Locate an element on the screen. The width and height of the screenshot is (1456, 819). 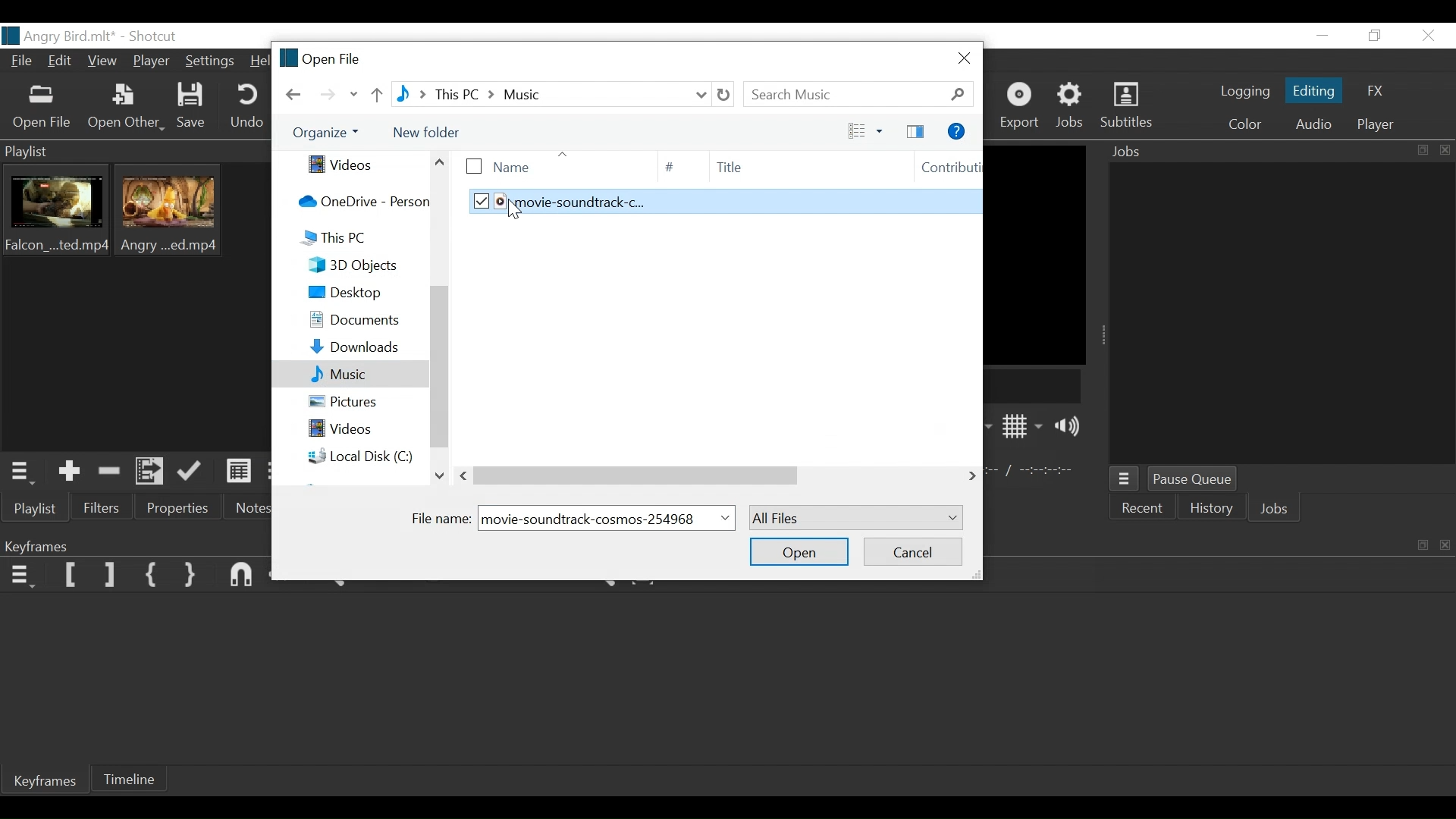
This PC is located at coordinates (349, 238).